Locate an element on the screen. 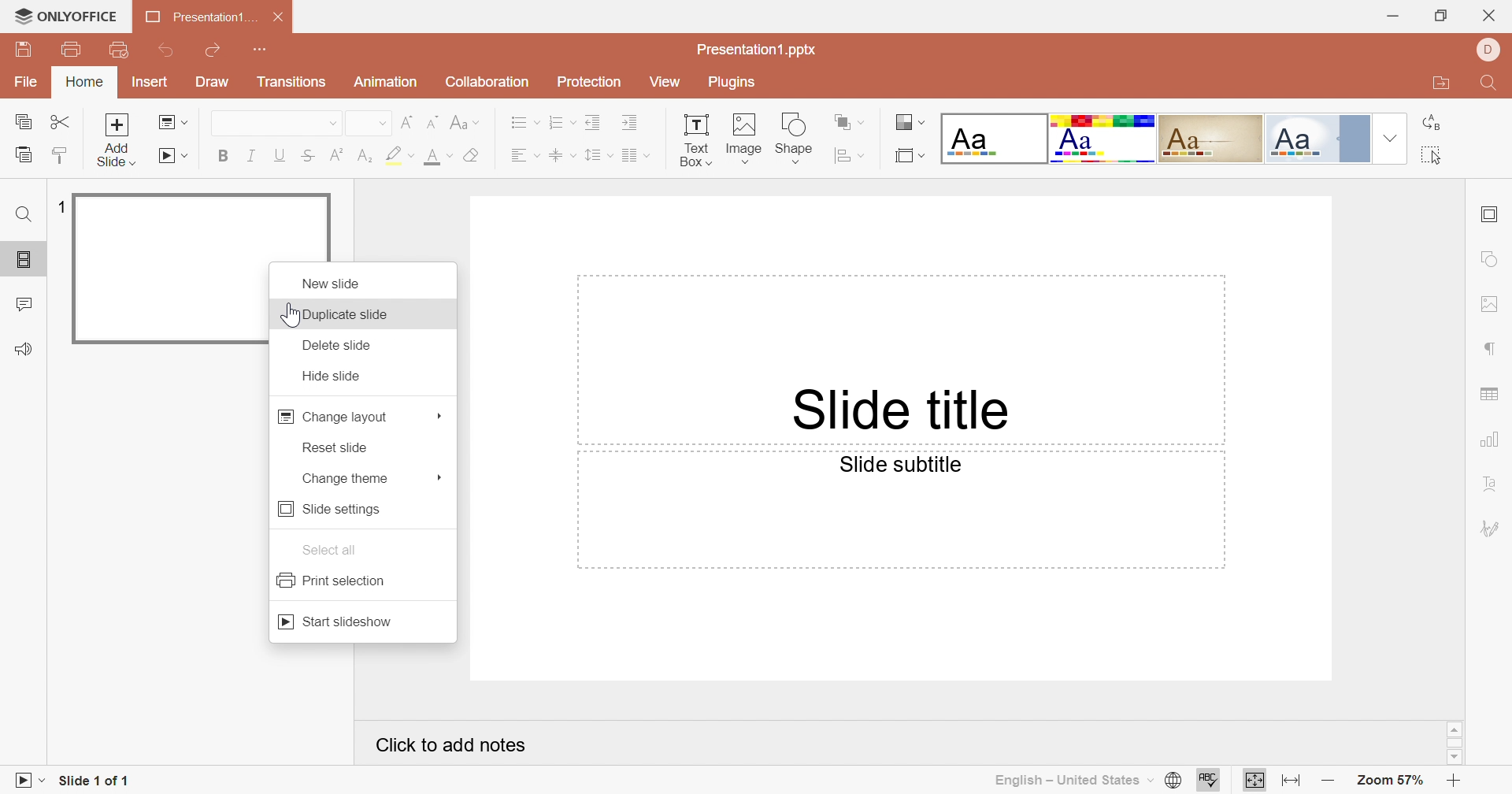 The width and height of the screenshot is (1512, 794). Slide title is located at coordinates (896, 407).